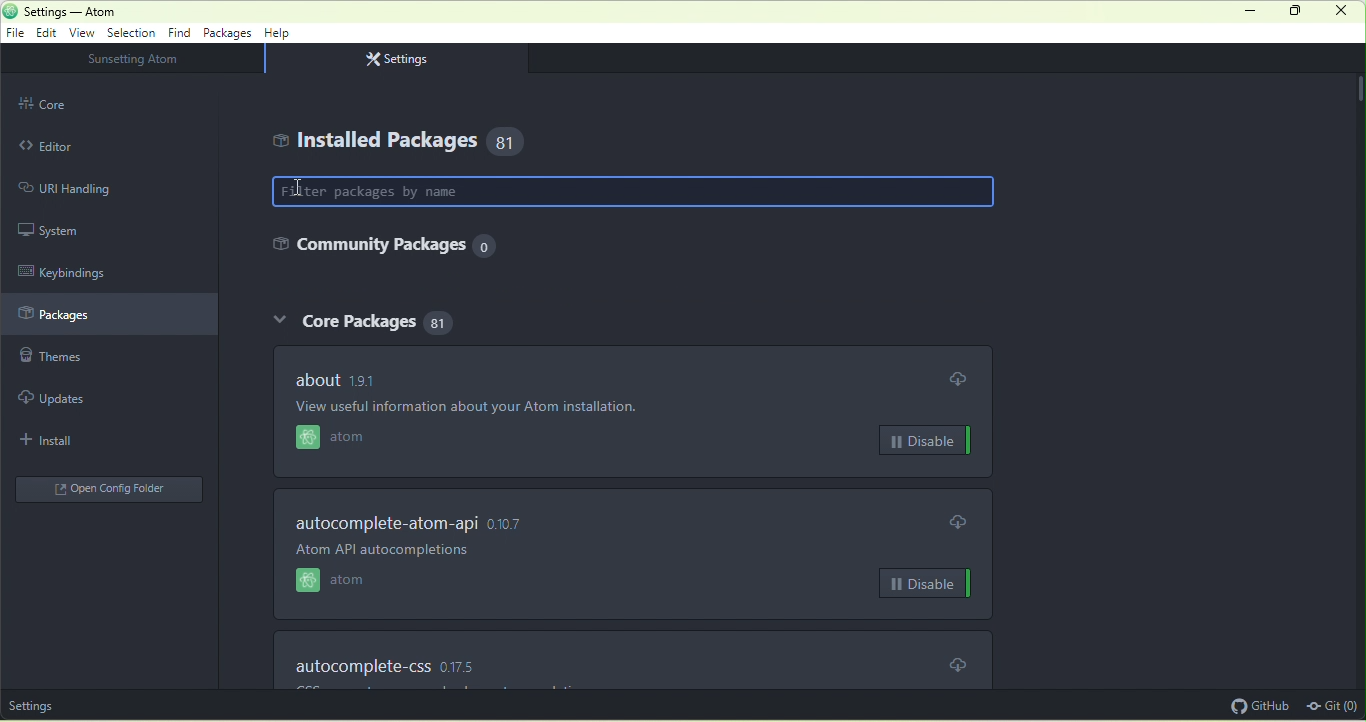 Image resolution: width=1366 pixels, height=722 pixels. Describe the element at coordinates (379, 250) in the screenshot. I see `community packages` at that location.